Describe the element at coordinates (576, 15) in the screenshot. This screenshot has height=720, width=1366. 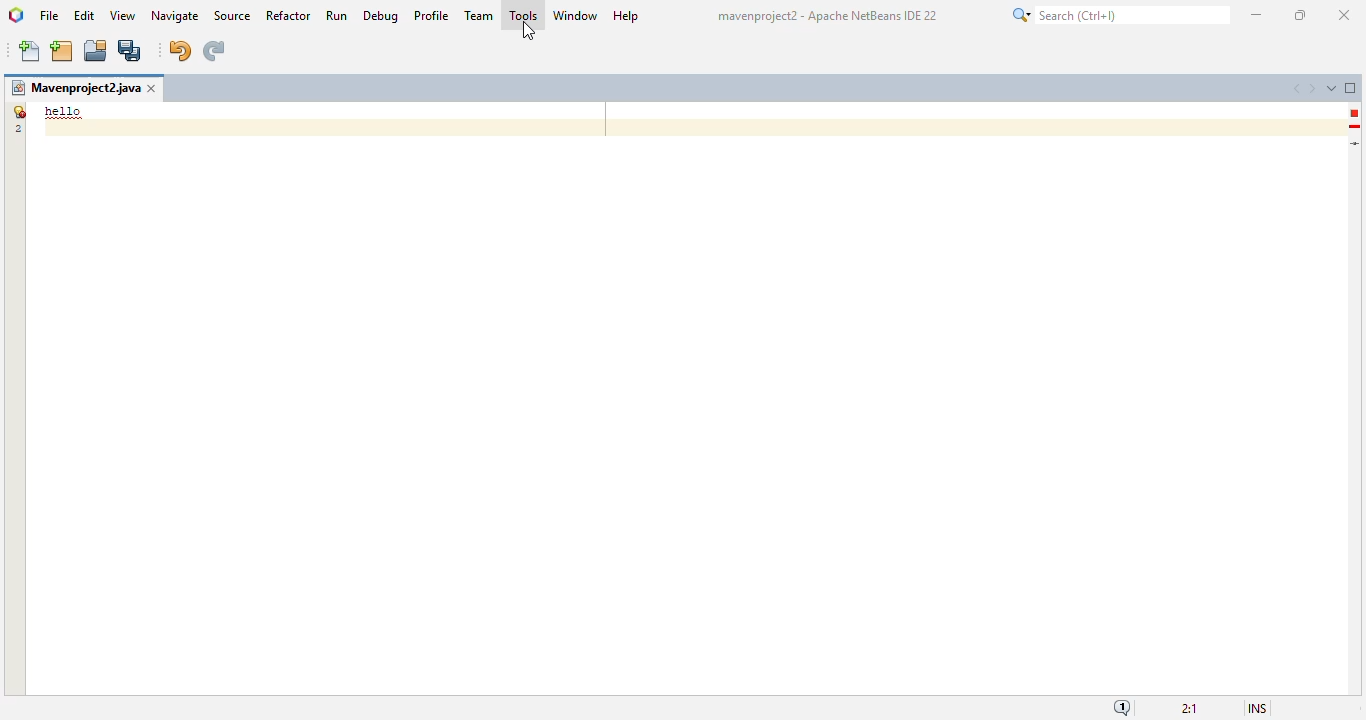
I see `window` at that location.